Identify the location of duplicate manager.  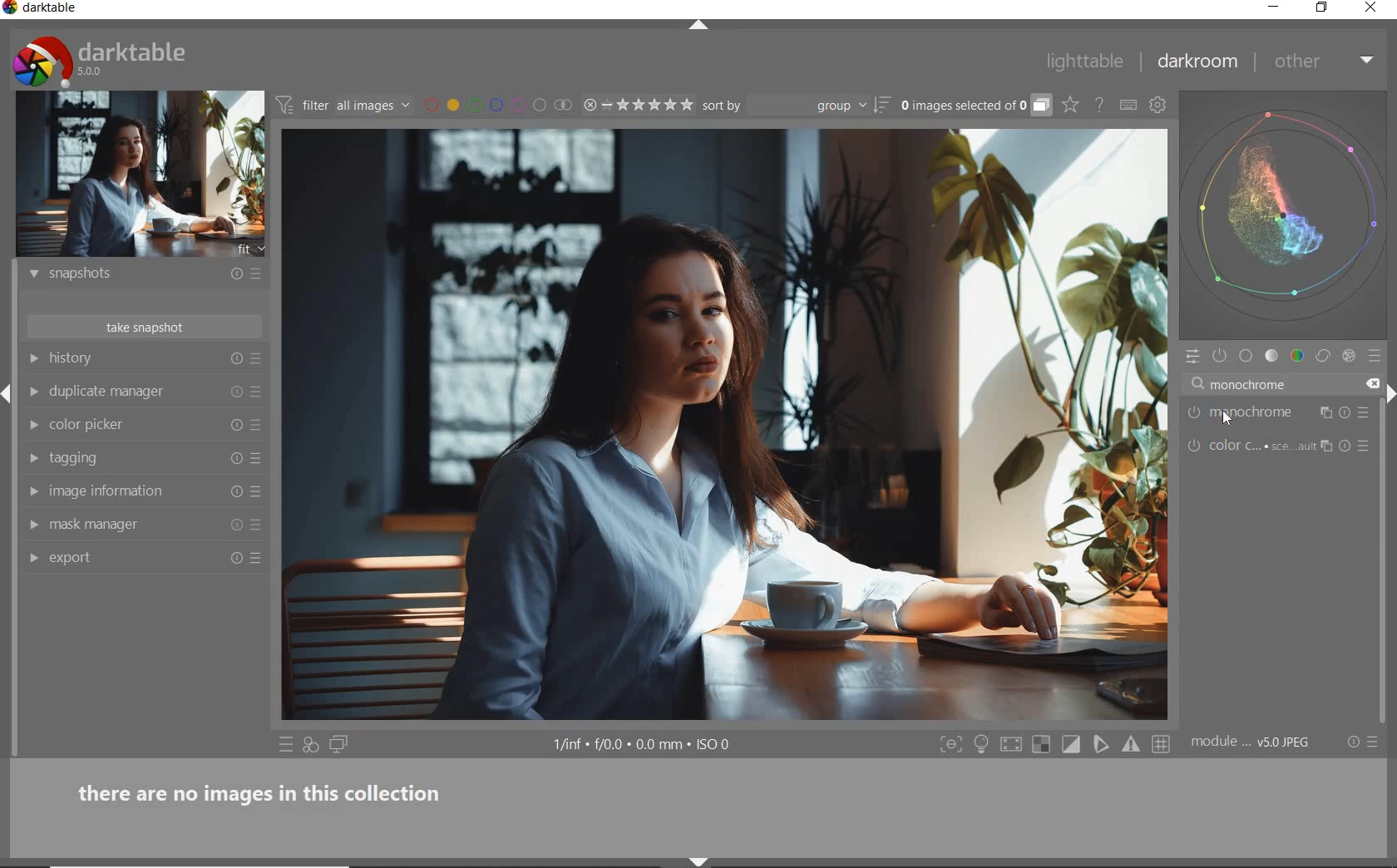
(133, 392).